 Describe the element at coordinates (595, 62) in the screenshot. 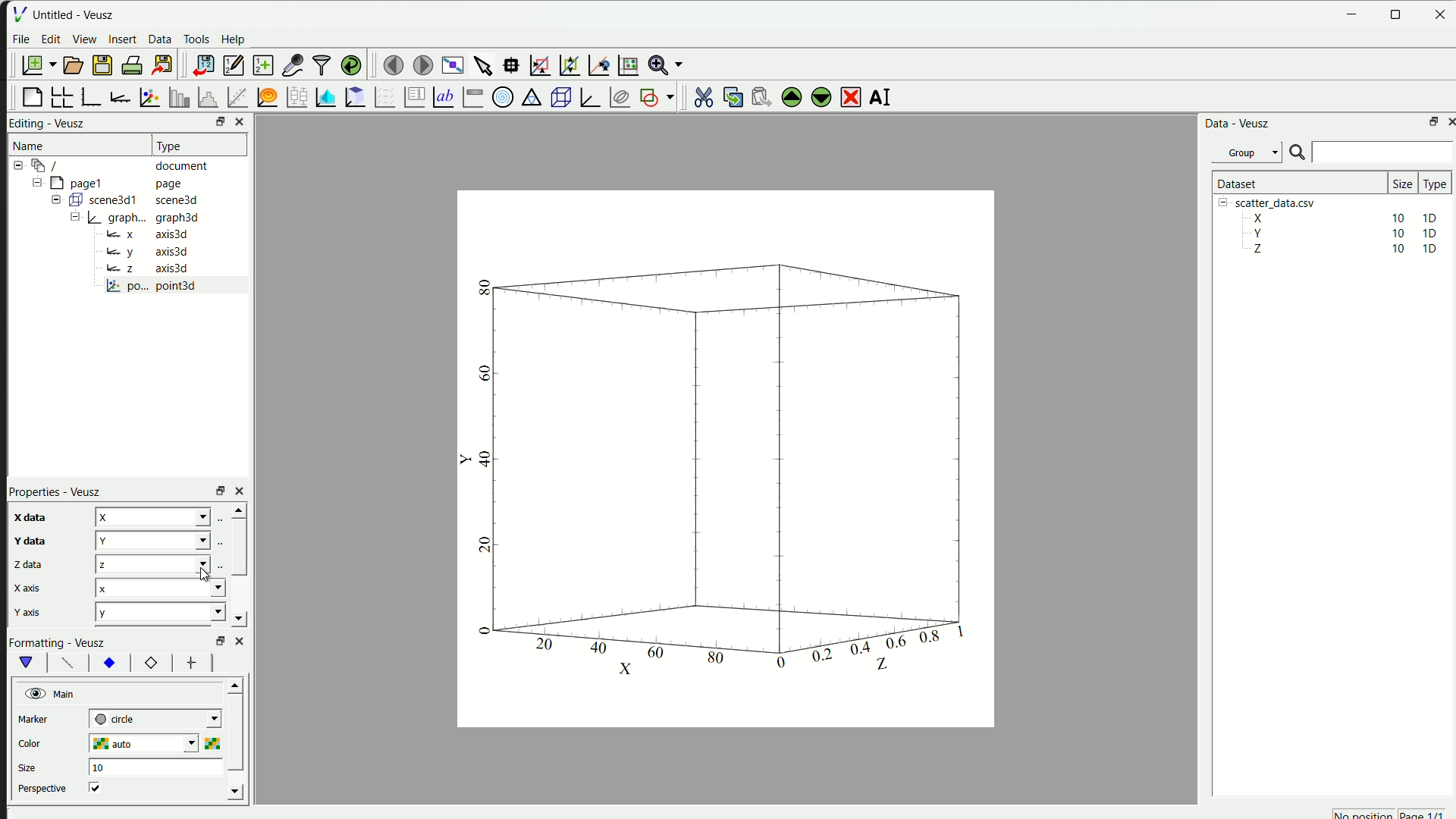

I see `recenter graph axes` at that location.